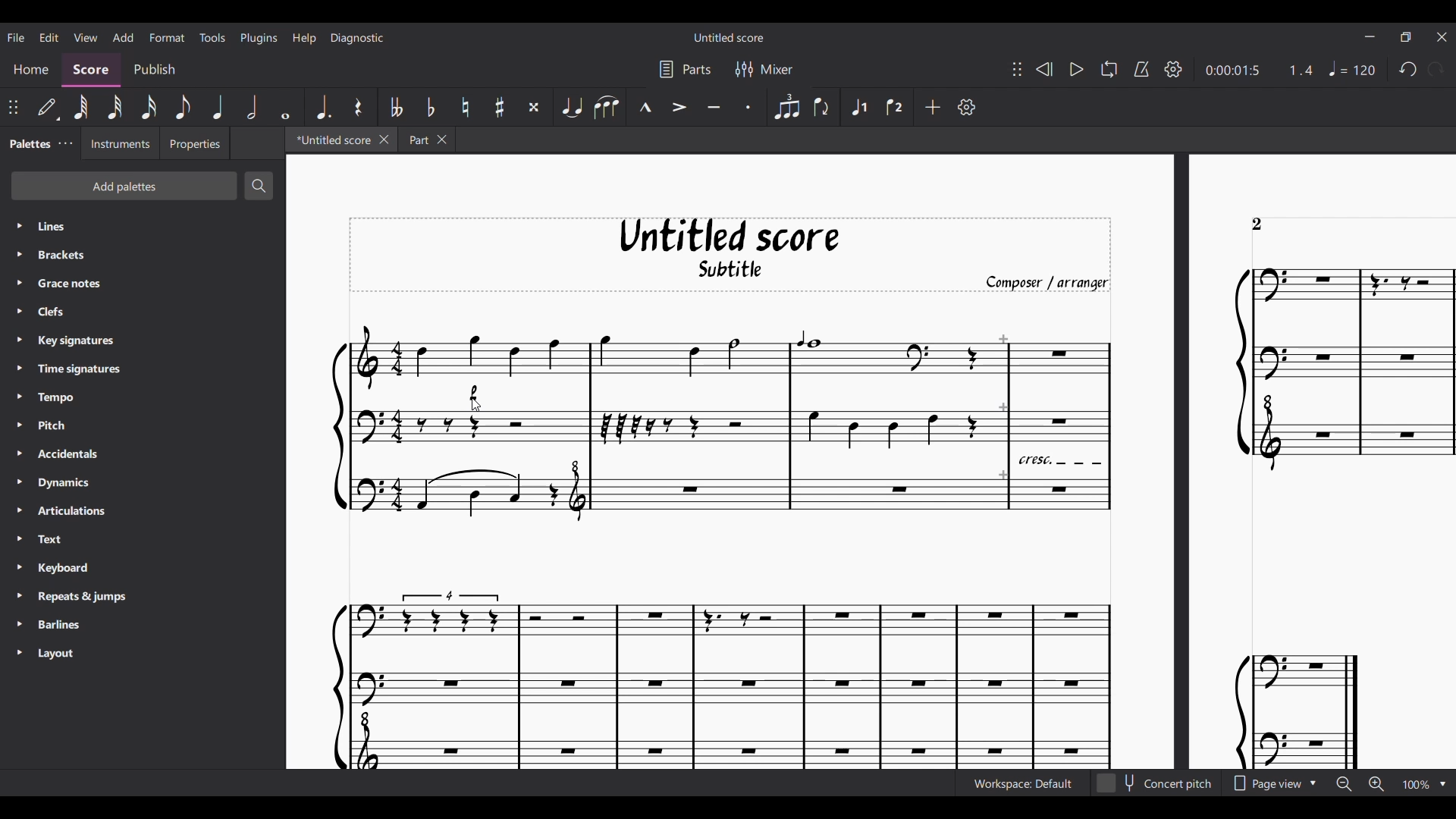 This screenshot has width=1456, height=819. Describe the element at coordinates (331, 139) in the screenshot. I see `Current tab` at that location.